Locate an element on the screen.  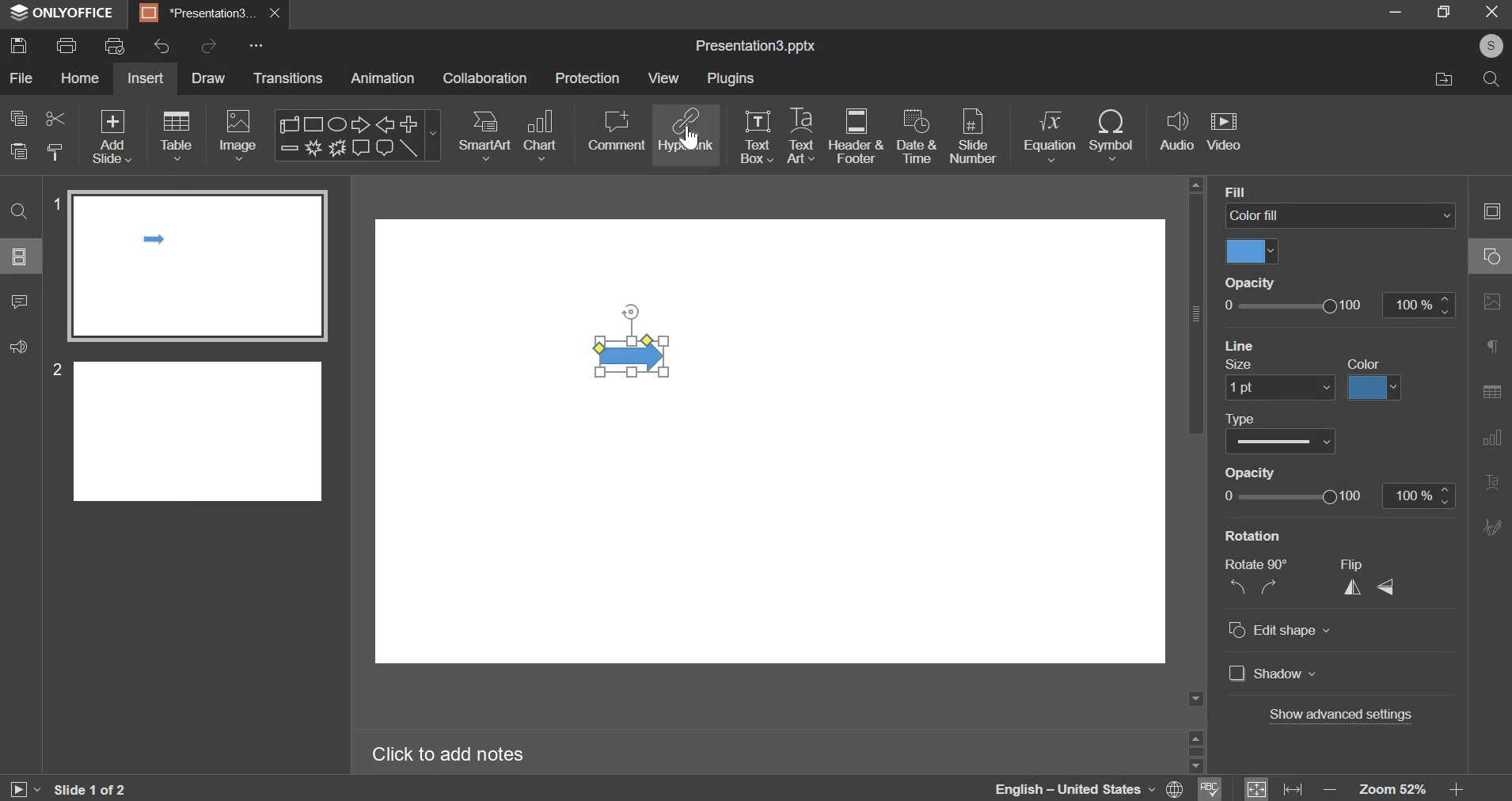
Image settings is located at coordinates (1492, 302).